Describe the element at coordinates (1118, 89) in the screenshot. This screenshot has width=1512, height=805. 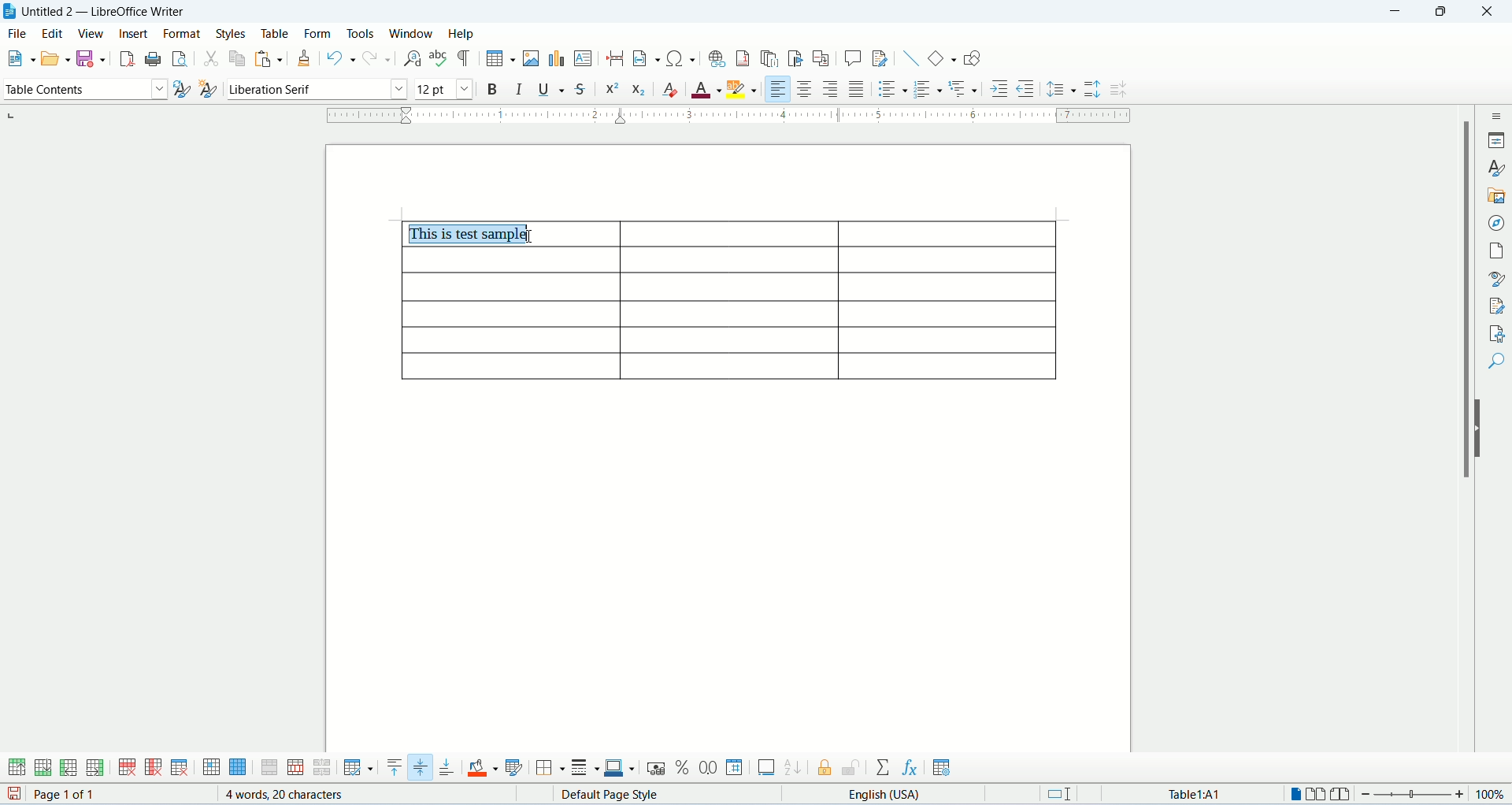
I see `decrease paragraph spacing` at that location.